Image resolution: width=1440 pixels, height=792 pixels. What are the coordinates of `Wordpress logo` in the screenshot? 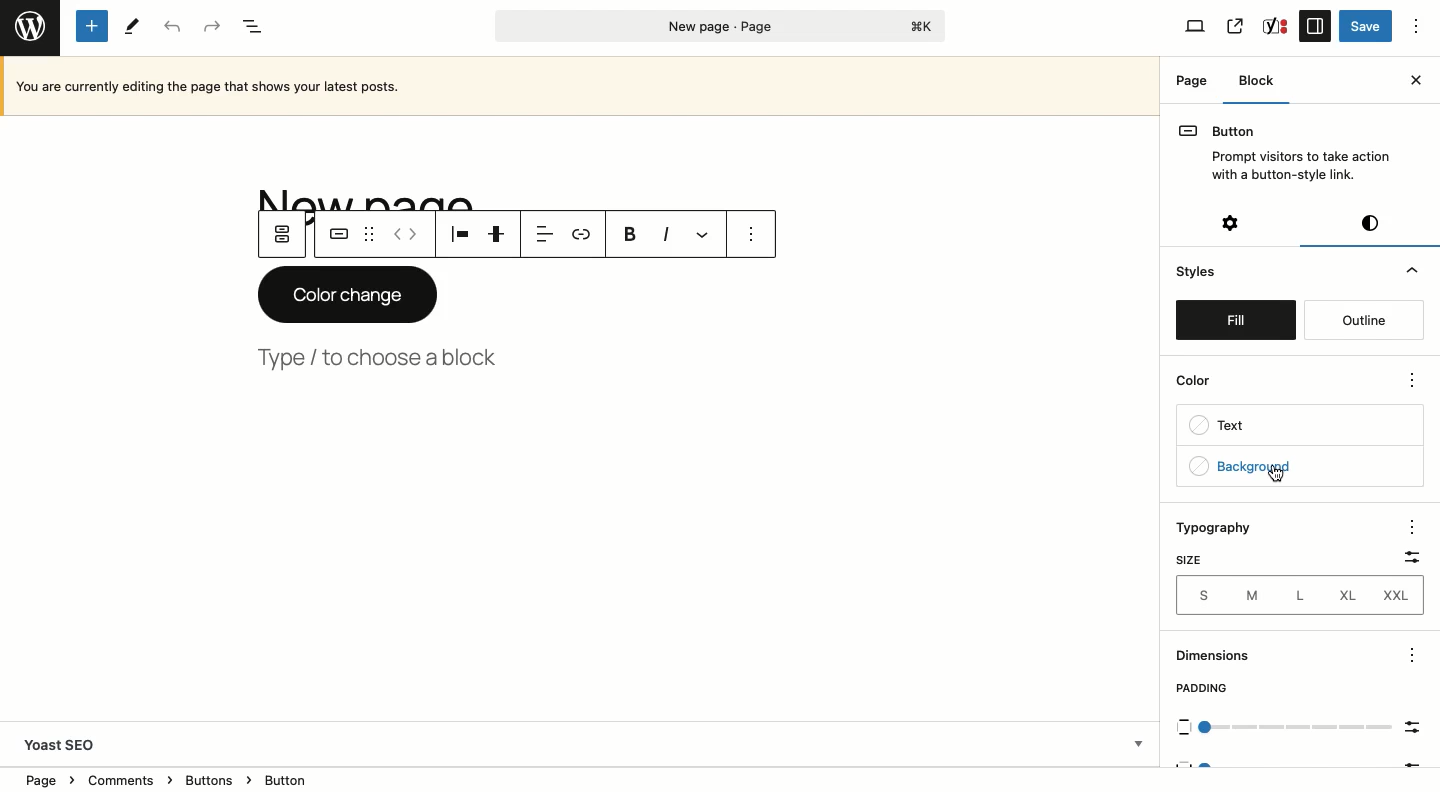 It's located at (30, 26).